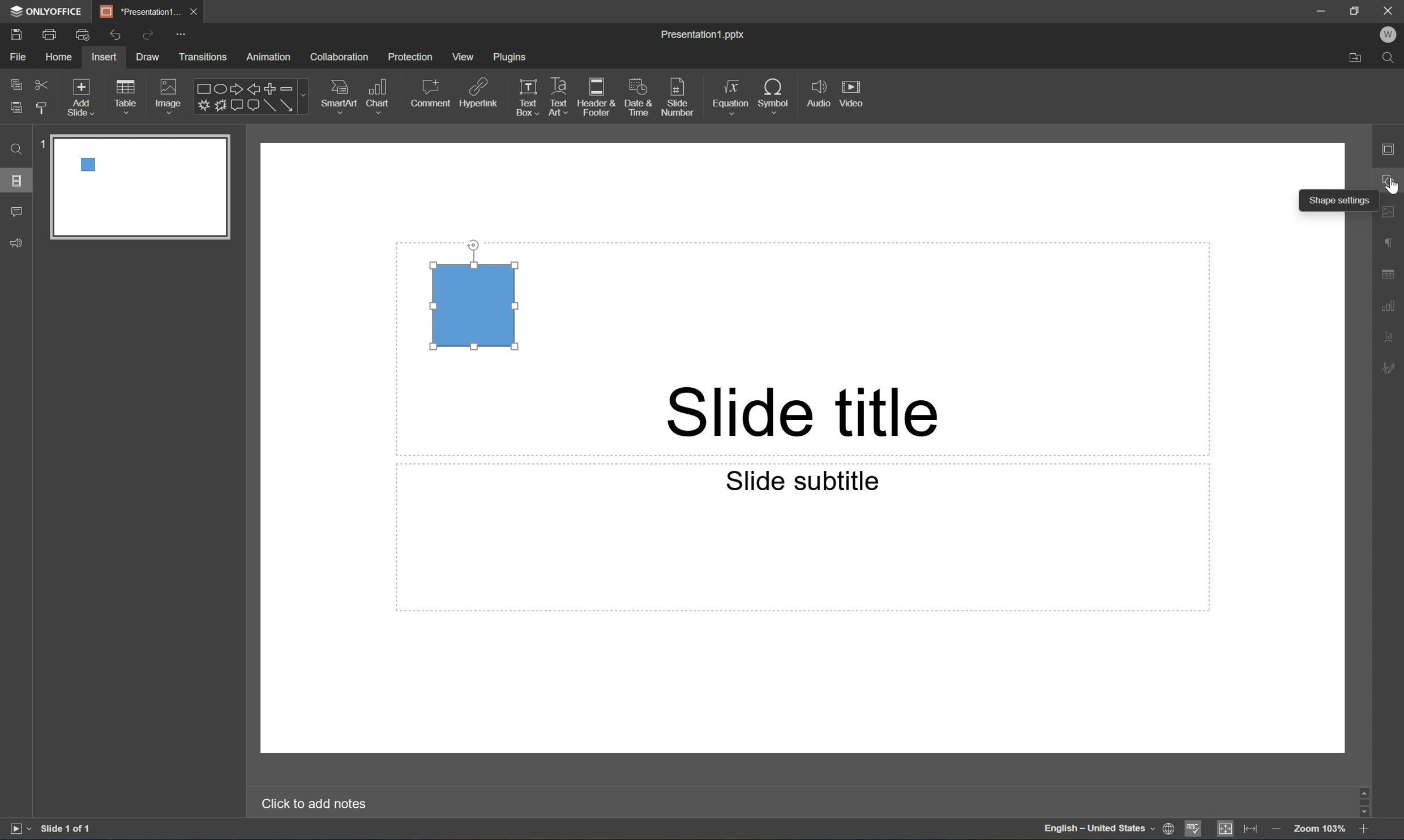 Image resolution: width=1404 pixels, height=840 pixels. I want to click on Minus, so click(293, 88).